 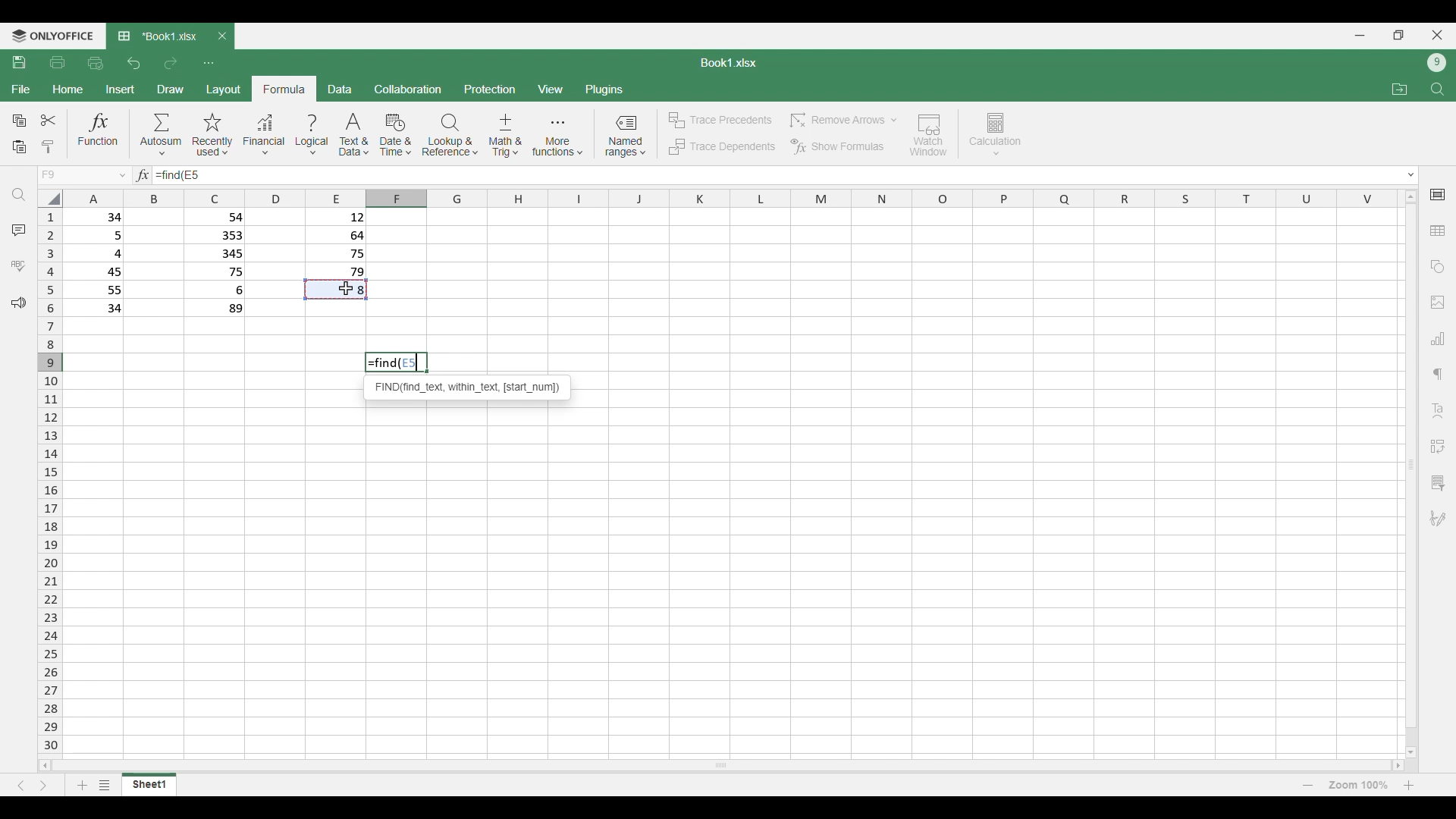 I want to click on Function typed in, so click(x=167, y=175).